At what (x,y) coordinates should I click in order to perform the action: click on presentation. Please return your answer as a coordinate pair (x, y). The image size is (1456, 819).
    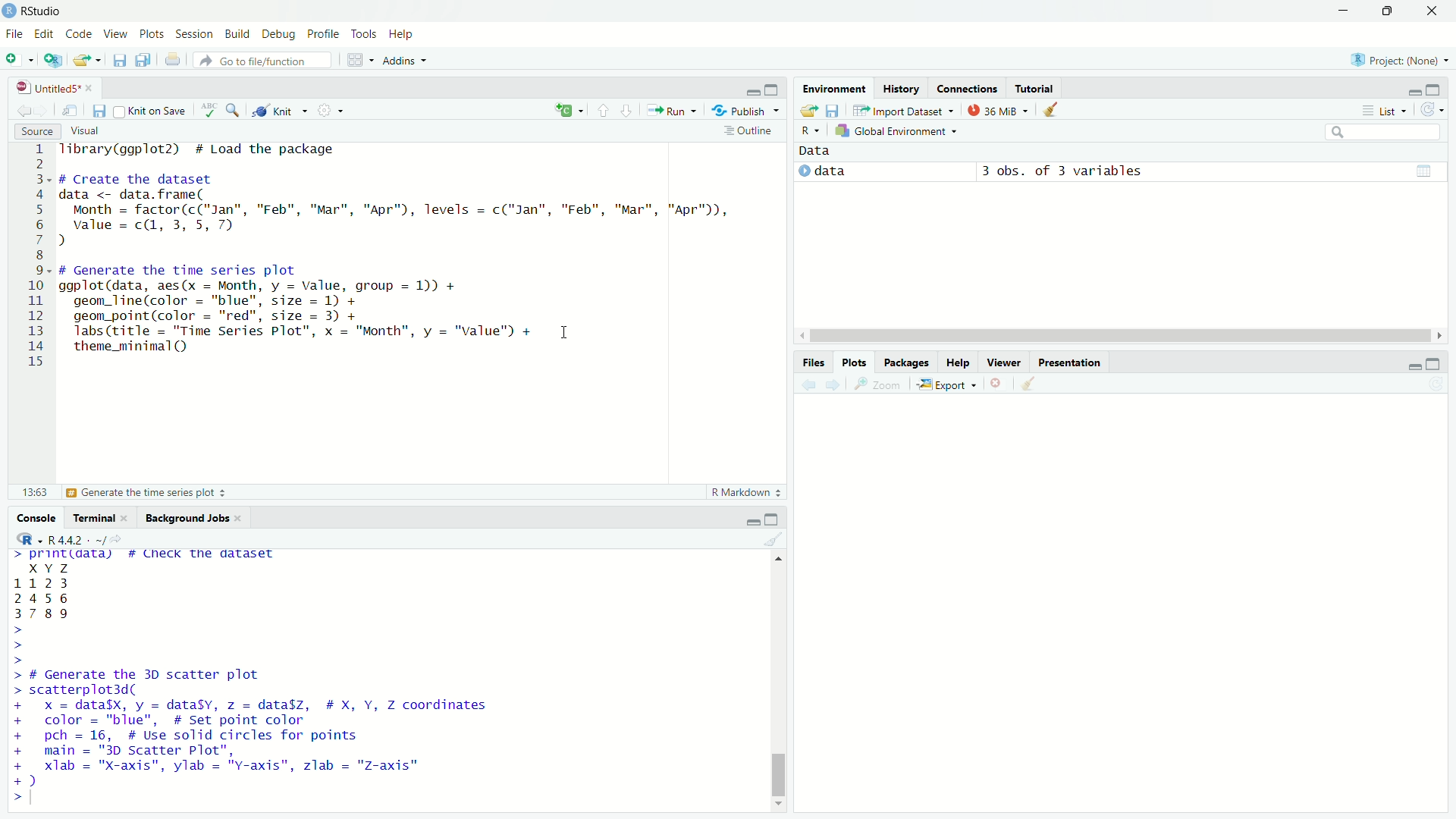
    Looking at the image, I should click on (1070, 363).